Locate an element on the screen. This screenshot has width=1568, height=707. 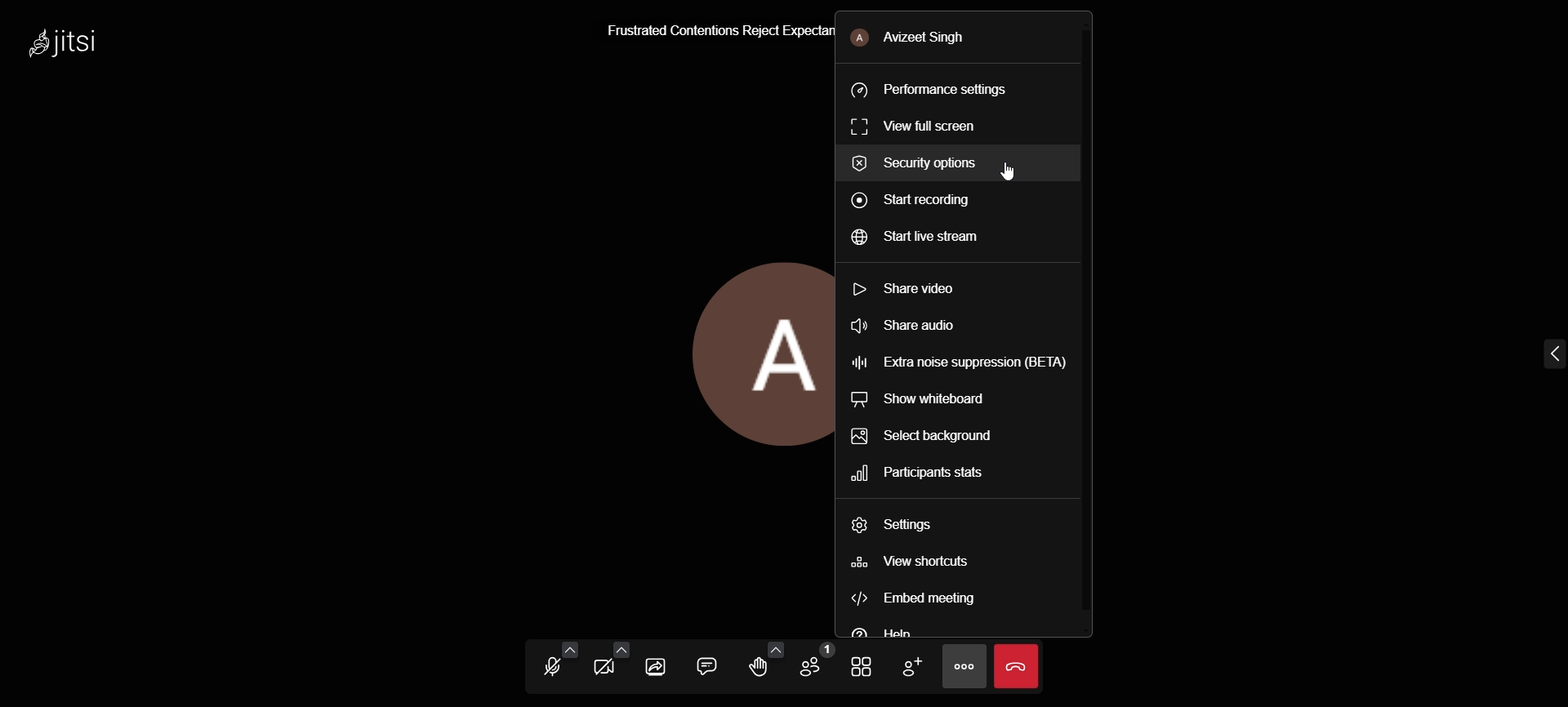
Avizeet Singh is located at coordinates (940, 38).